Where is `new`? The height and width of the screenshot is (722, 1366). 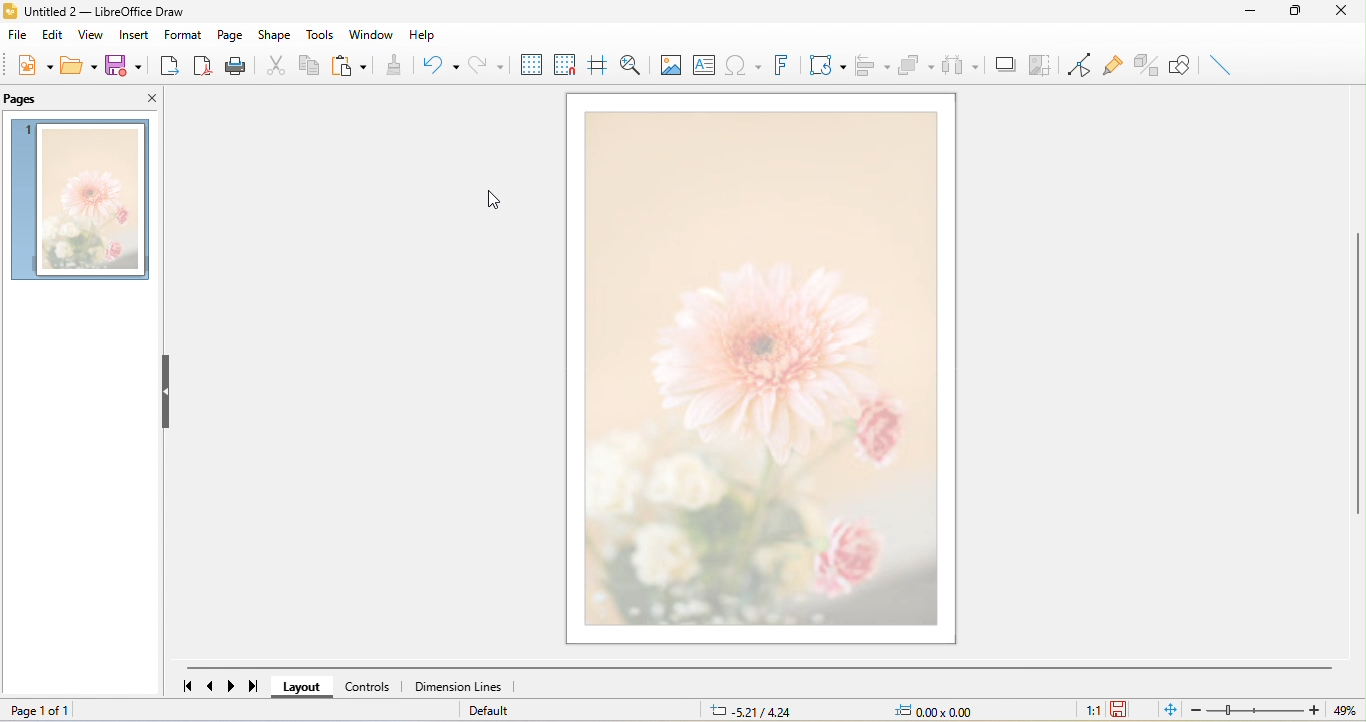
new is located at coordinates (33, 62).